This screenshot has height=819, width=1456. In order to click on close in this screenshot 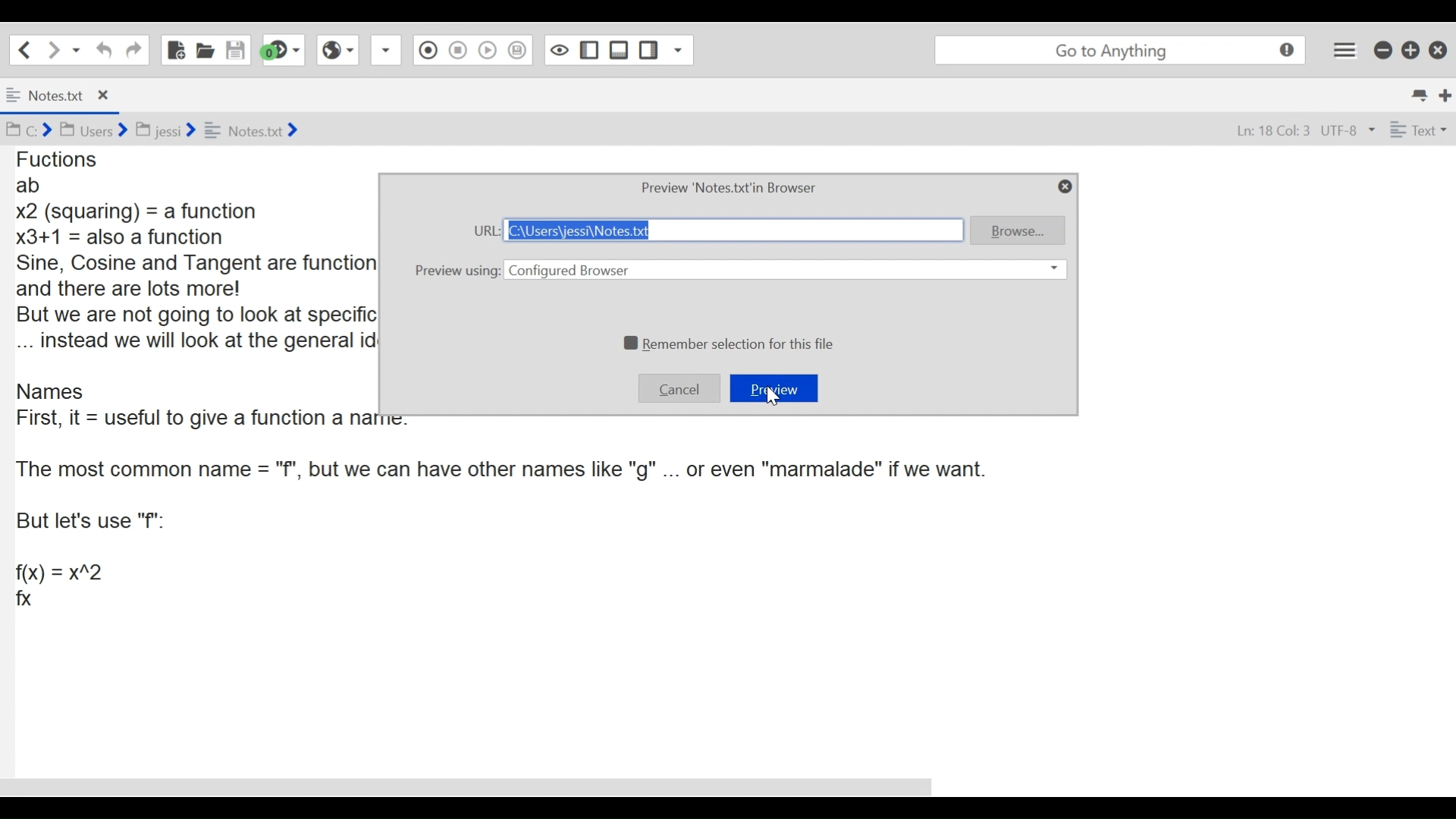, I will do `click(108, 95)`.